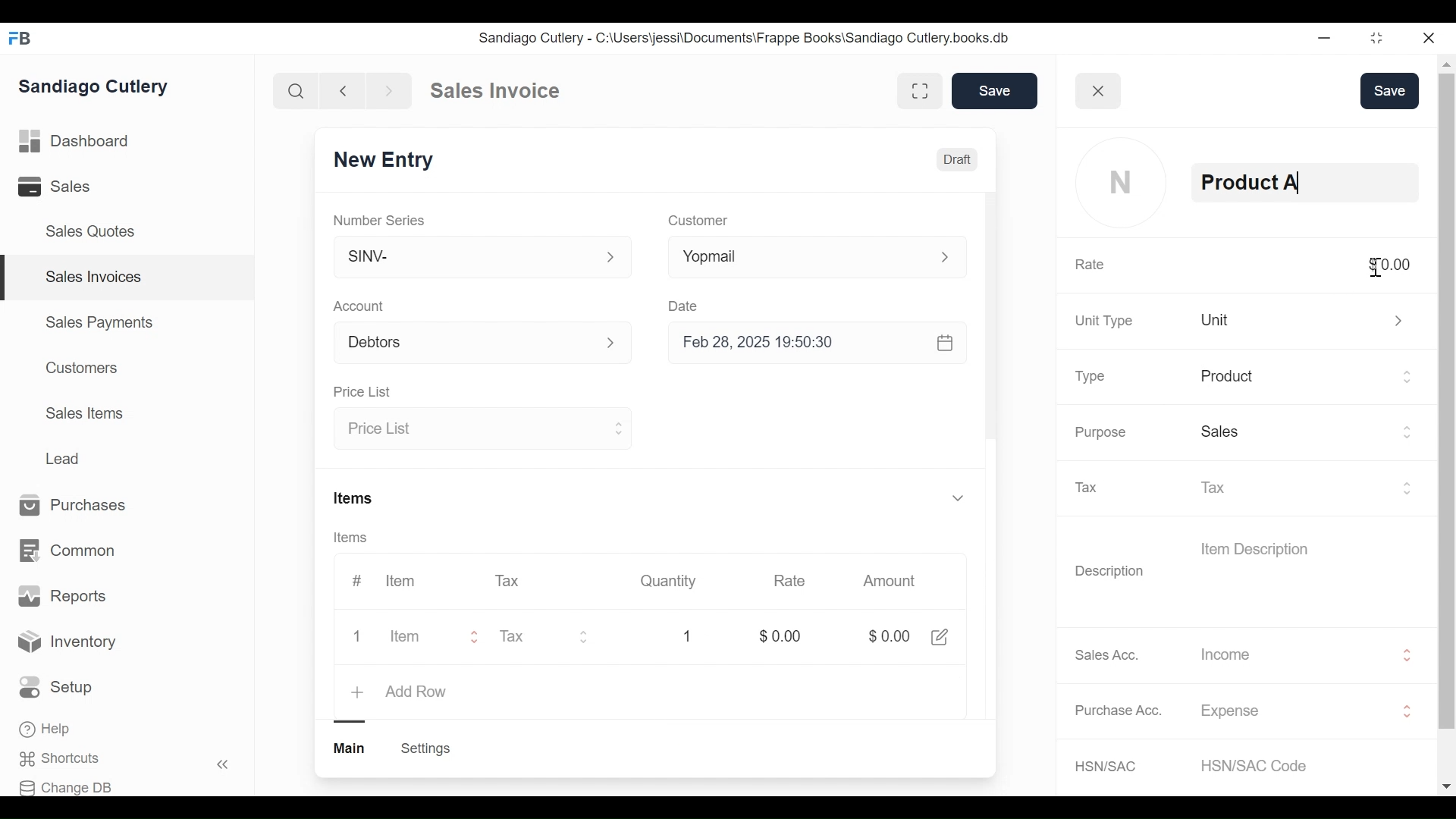 The height and width of the screenshot is (819, 1456). I want to click on Save, so click(1390, 91).